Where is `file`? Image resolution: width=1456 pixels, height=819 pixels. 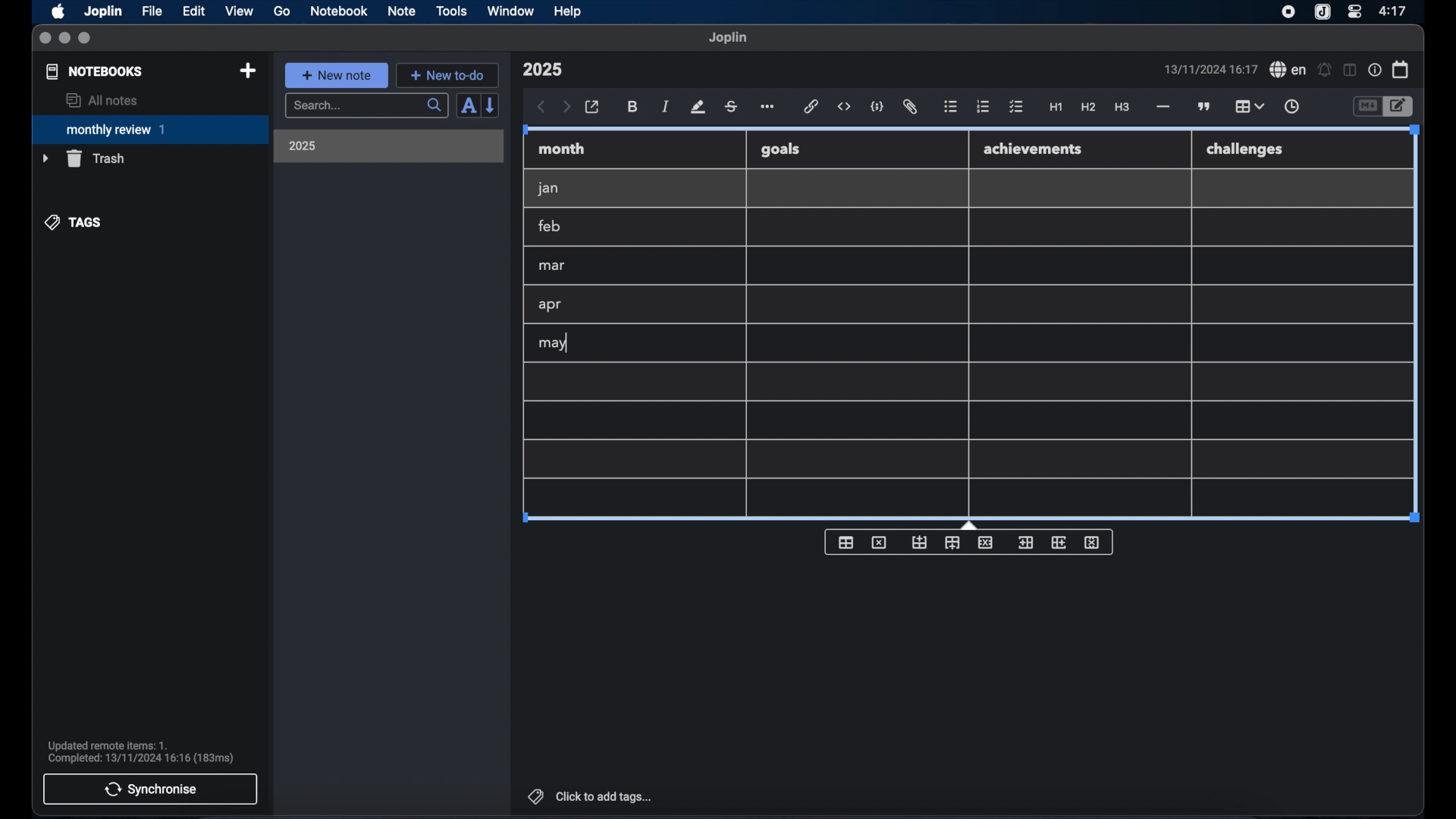 file is located at coordinates (152, 11).